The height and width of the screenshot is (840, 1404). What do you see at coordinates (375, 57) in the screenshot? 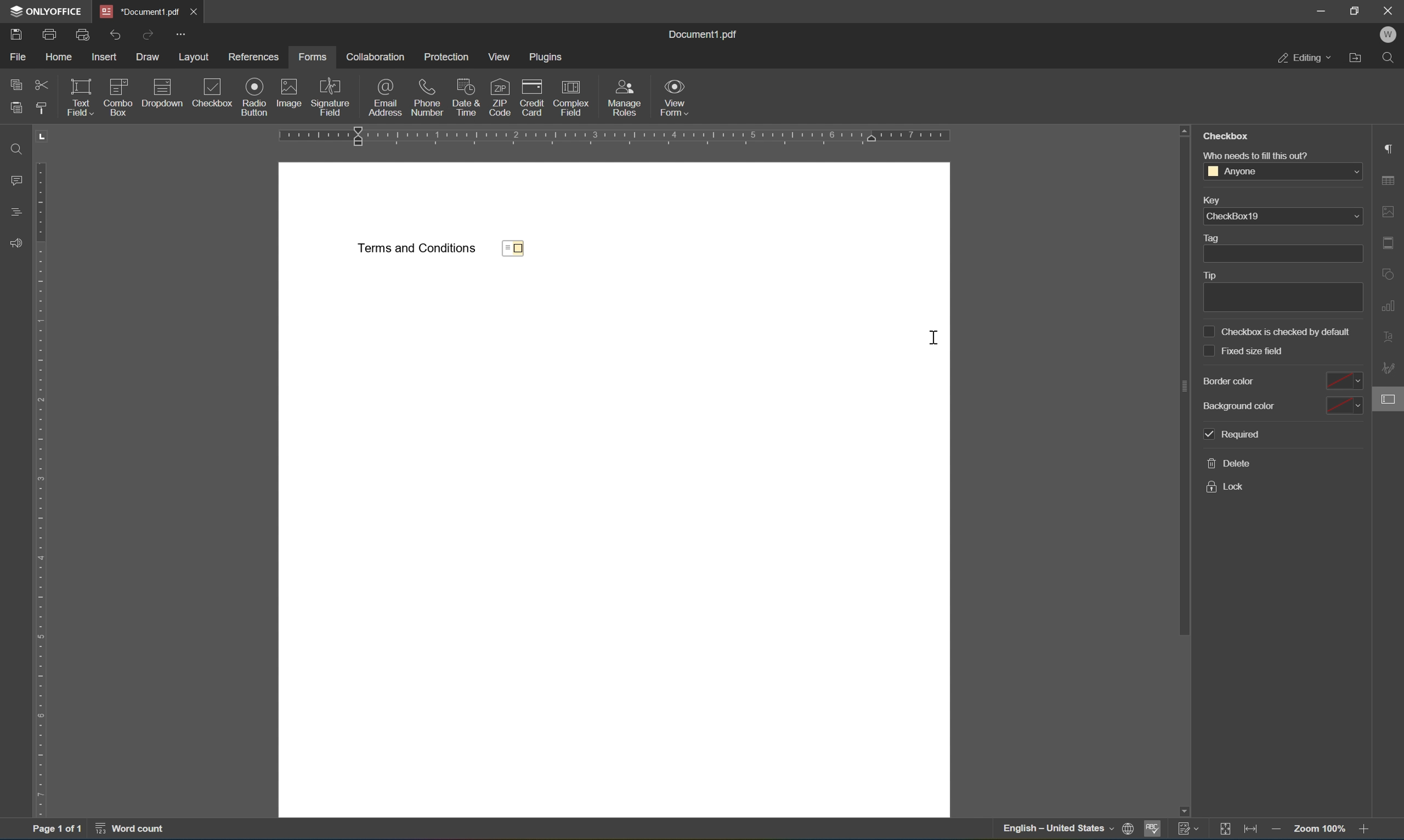
I see `collaboration` at bounding box center [375, 57].